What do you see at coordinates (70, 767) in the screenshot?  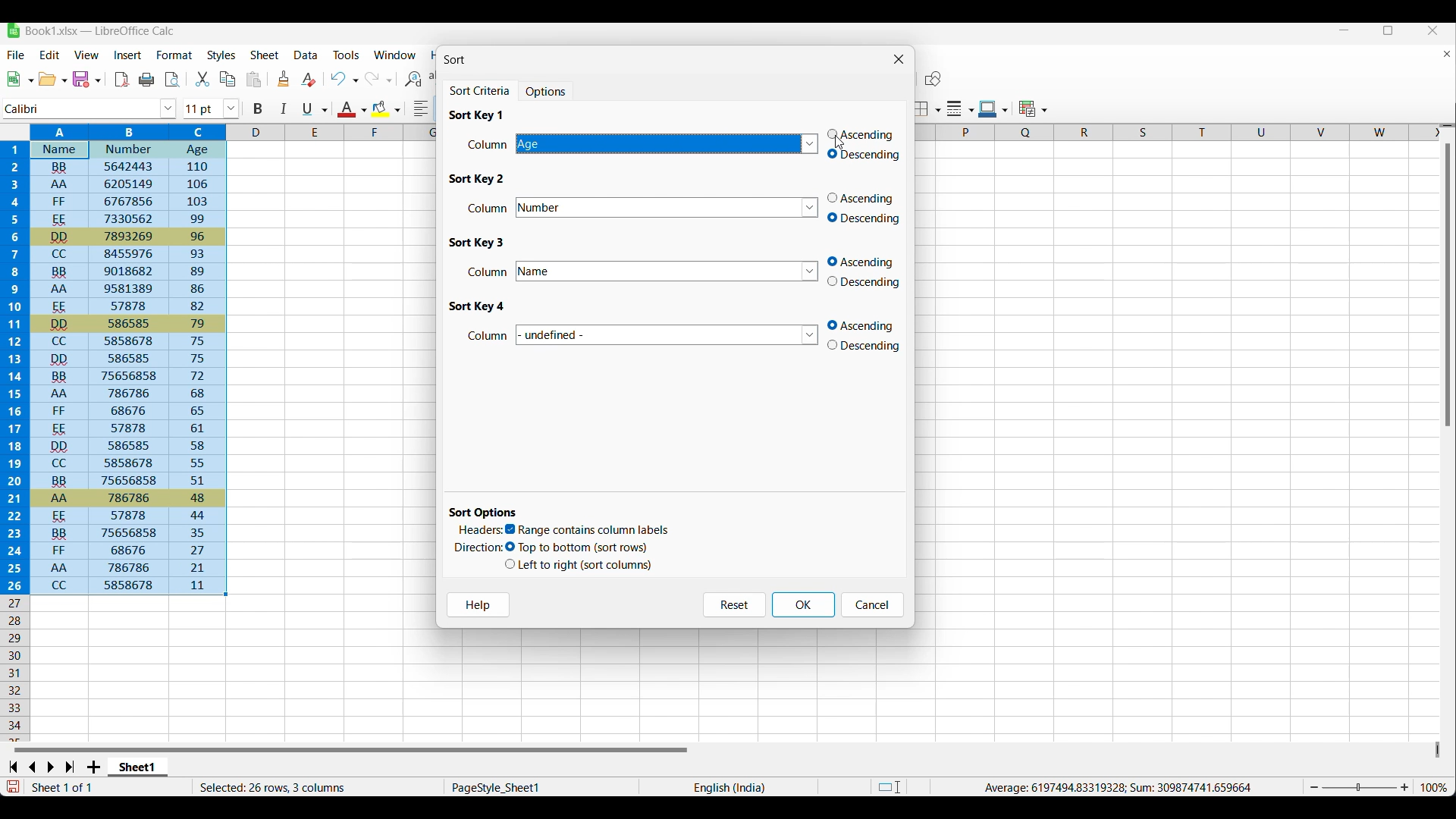 I see `Go to last sheet` at bounding box center [70, 767].